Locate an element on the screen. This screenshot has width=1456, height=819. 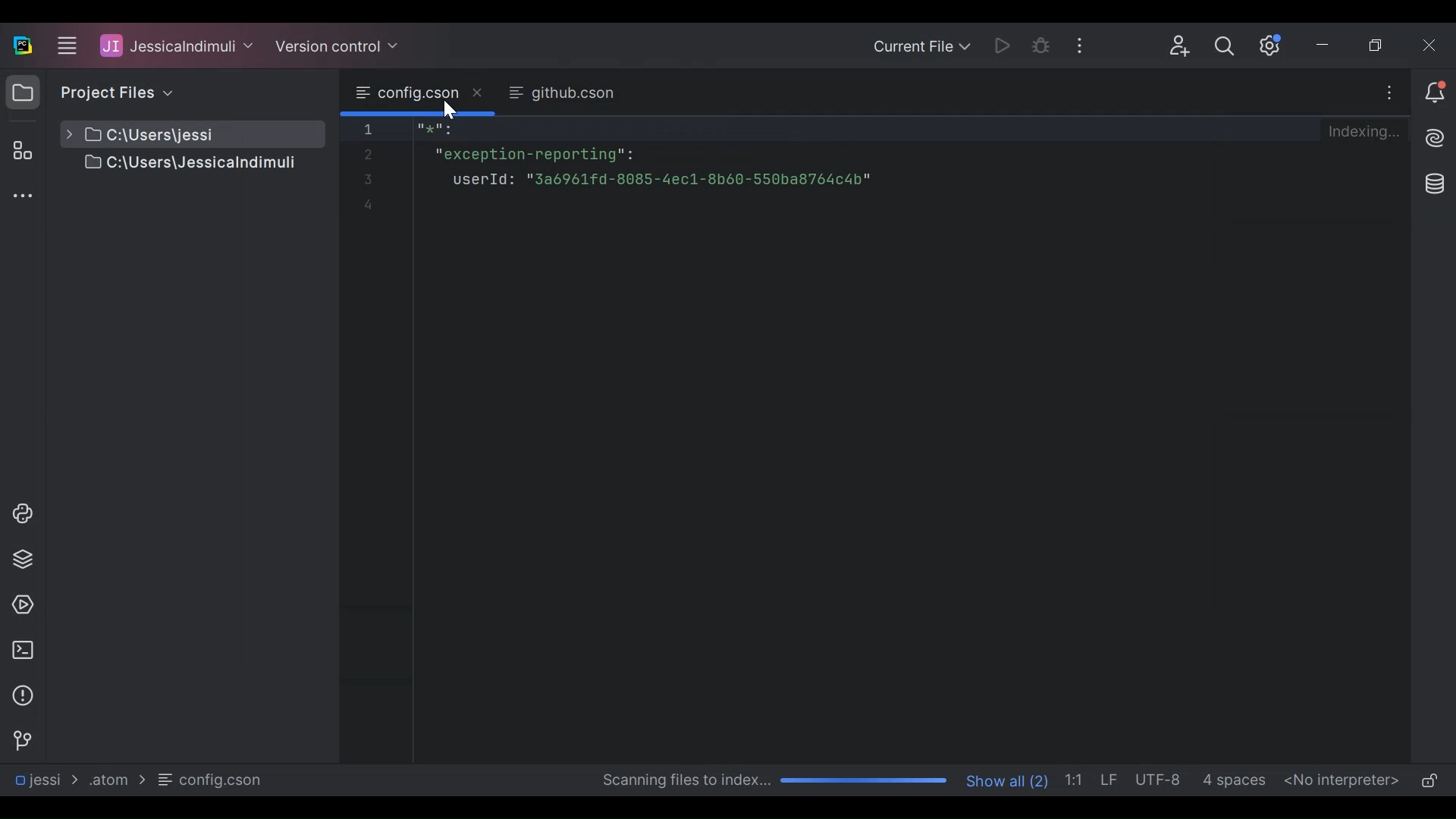
more is located at coordinates (21, 198).